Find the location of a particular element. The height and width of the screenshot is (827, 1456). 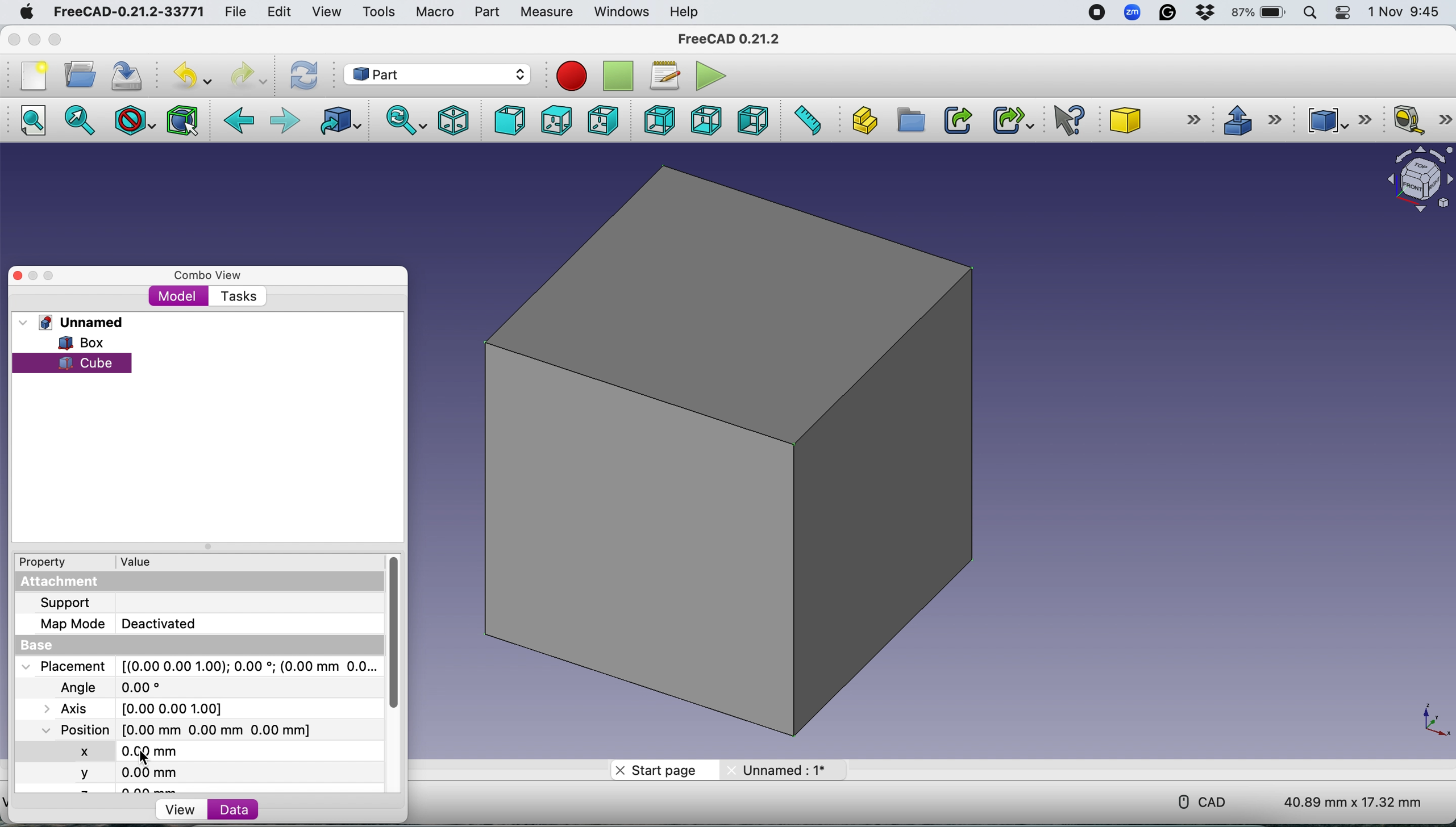

Refresh is located at coordinates (307, 75).